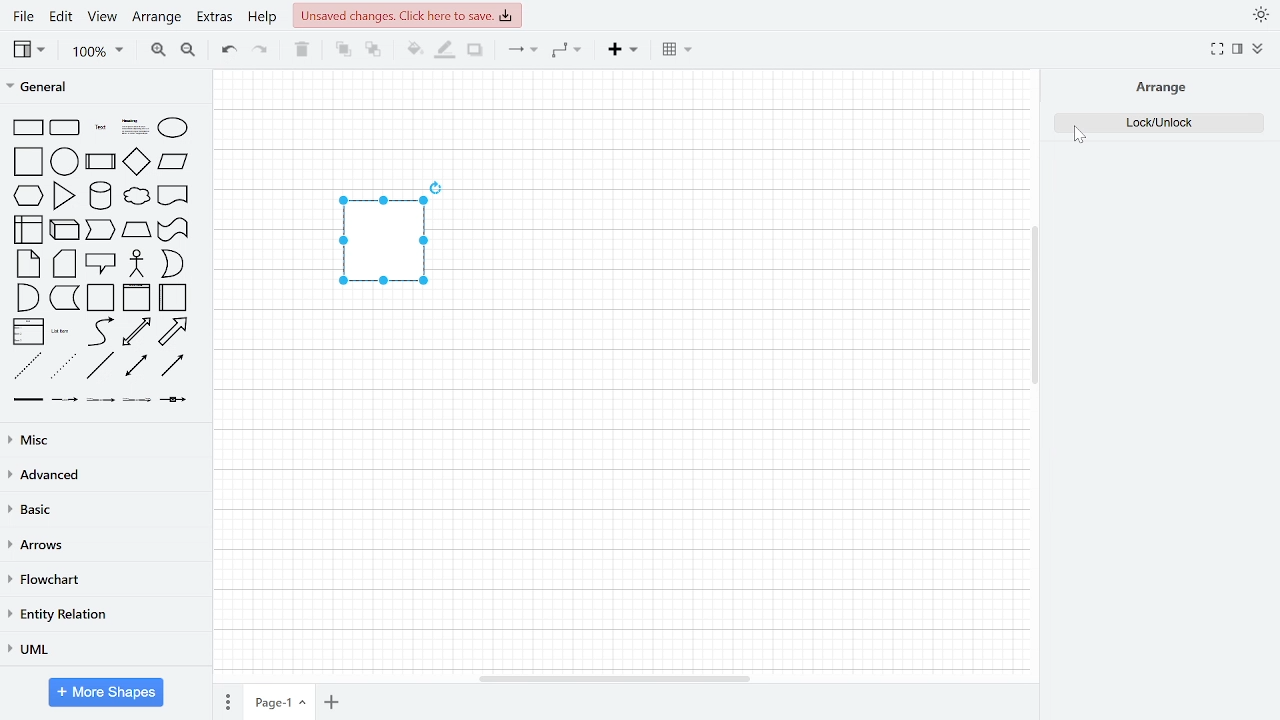  What do you see at coordinates (105, 86) in the screenshot?
I see `general` at bounding box center [105, 86].